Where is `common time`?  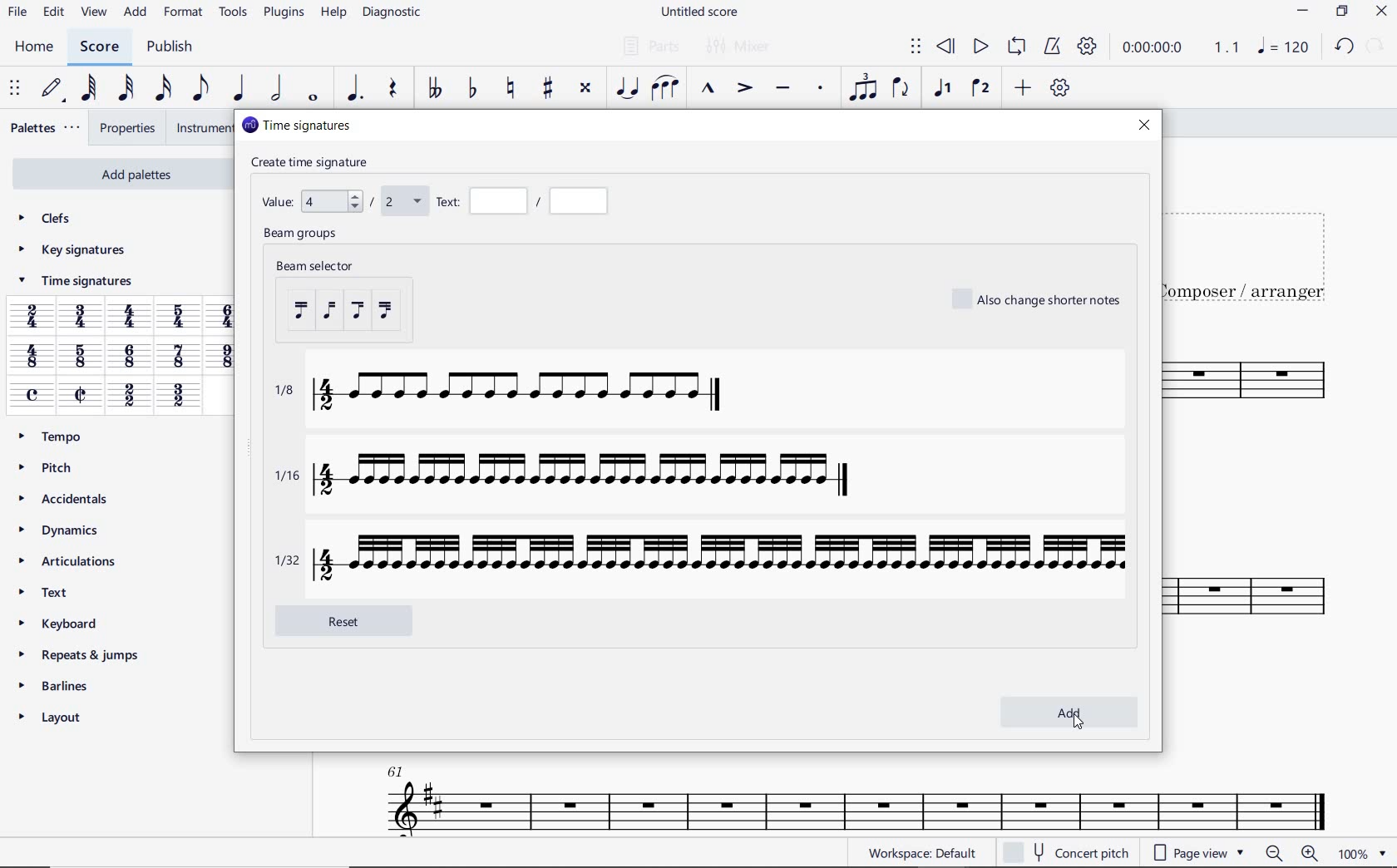 common time is located at coordinates (33, 395).